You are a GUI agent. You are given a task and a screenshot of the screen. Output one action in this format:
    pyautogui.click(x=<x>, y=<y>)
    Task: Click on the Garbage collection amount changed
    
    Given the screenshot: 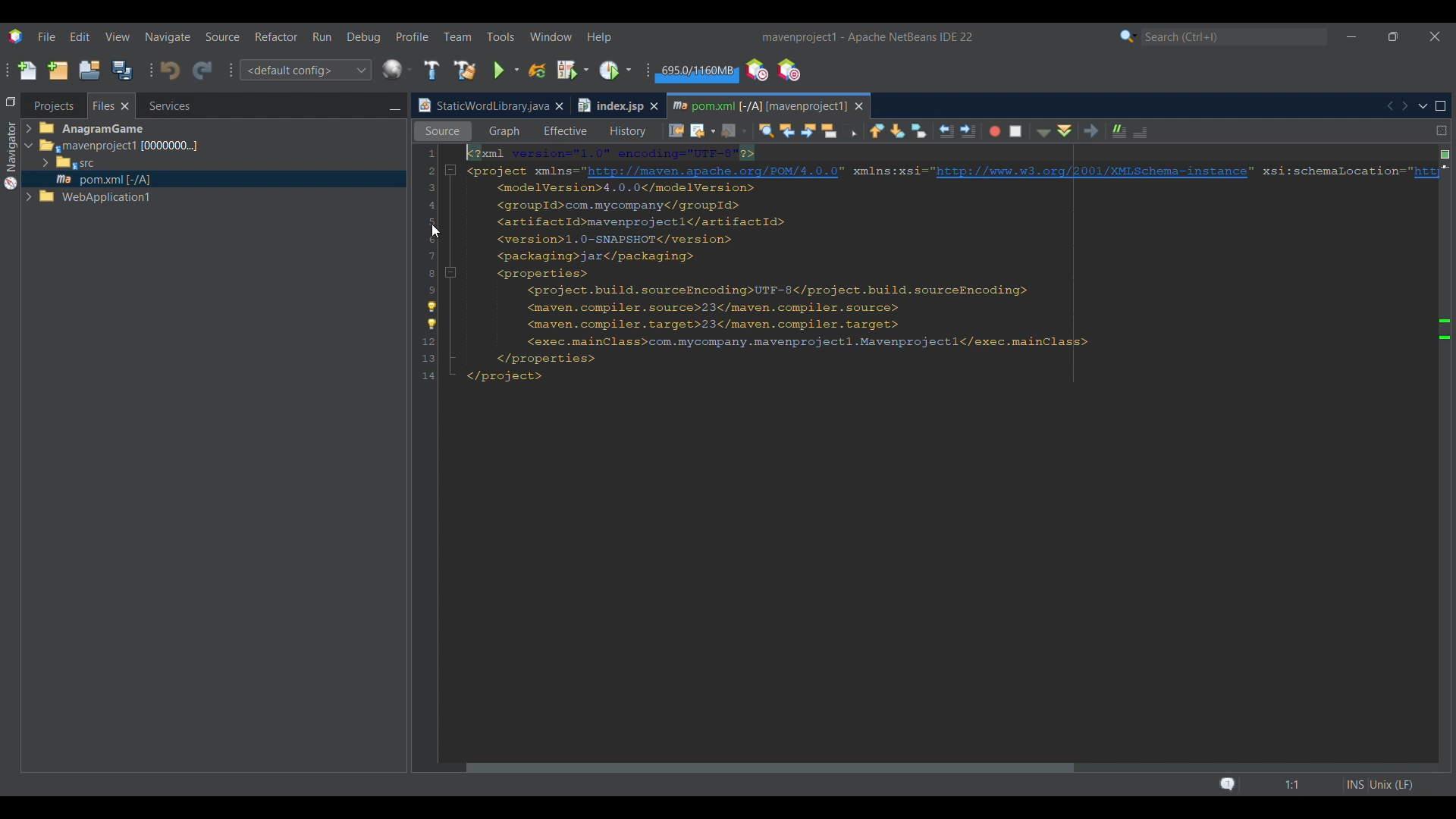 What is the action you would take?
    pyautogui.click(x=695, y=73)
    